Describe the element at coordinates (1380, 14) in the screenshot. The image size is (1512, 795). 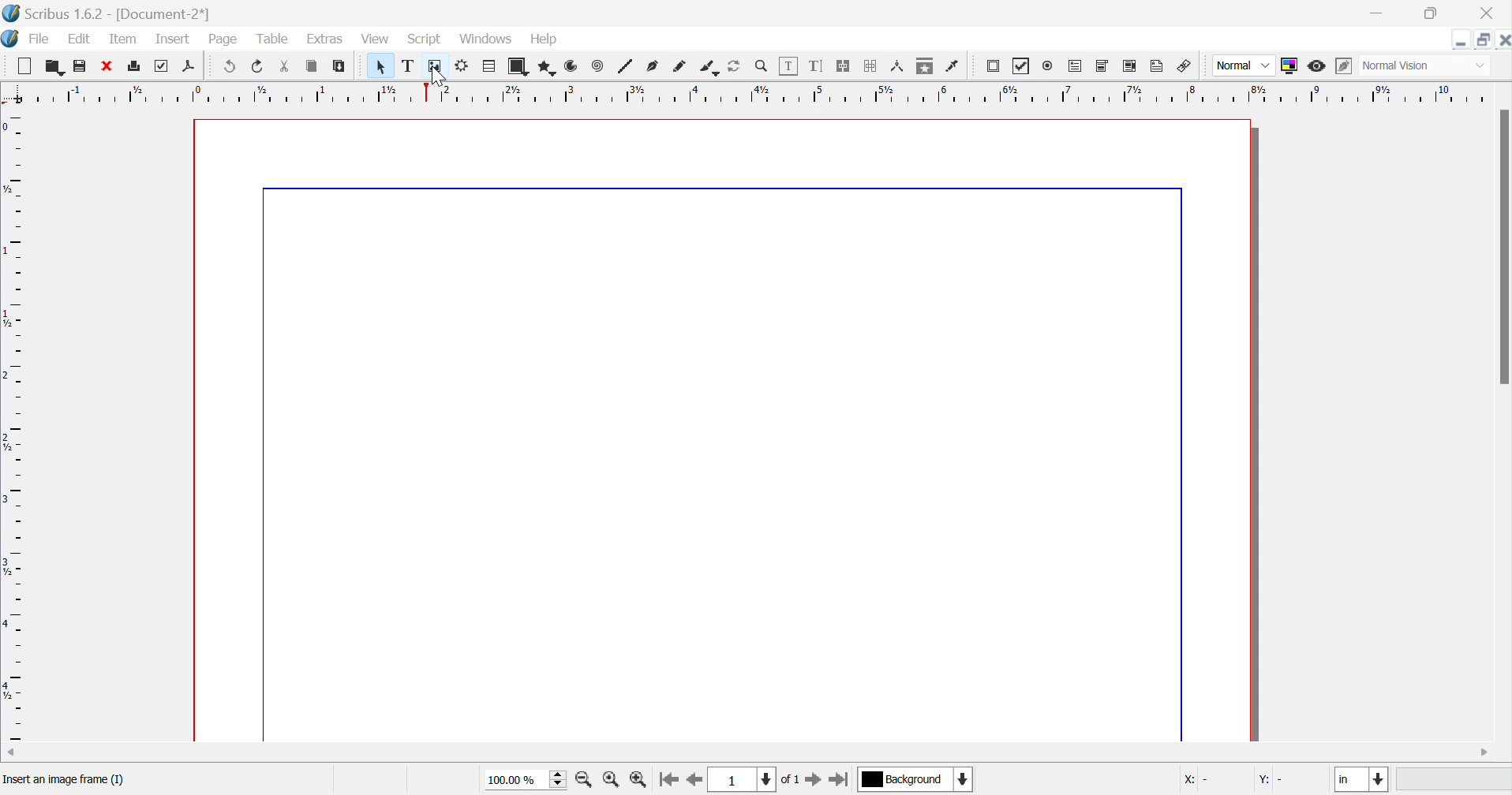
I see `minimize` at that location.